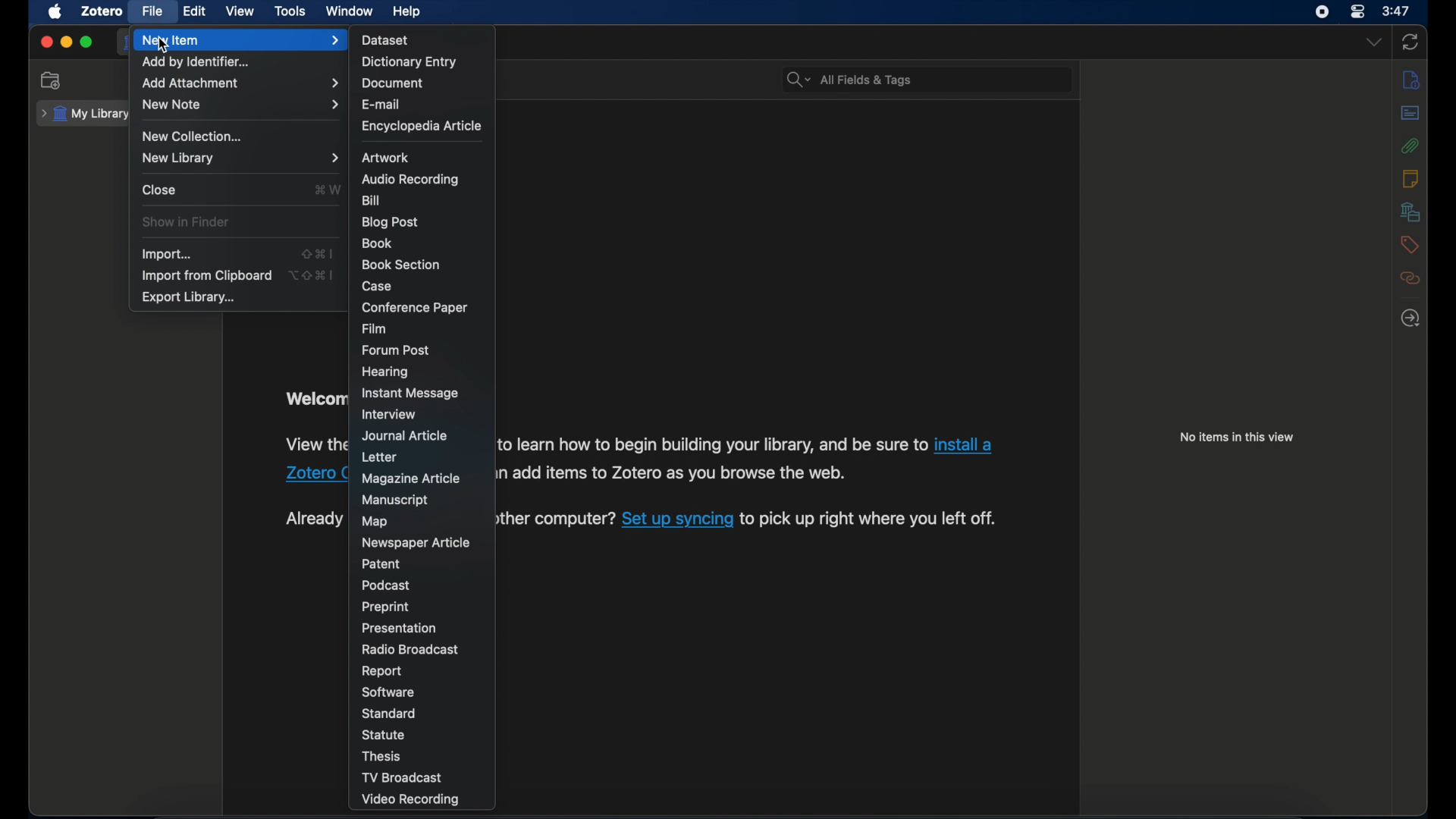 This screenshot has height=819, width=1456. What do you see at coordinates (65, 42) in the screenshot?
I see `minimize` at bounding box center [65, 42].